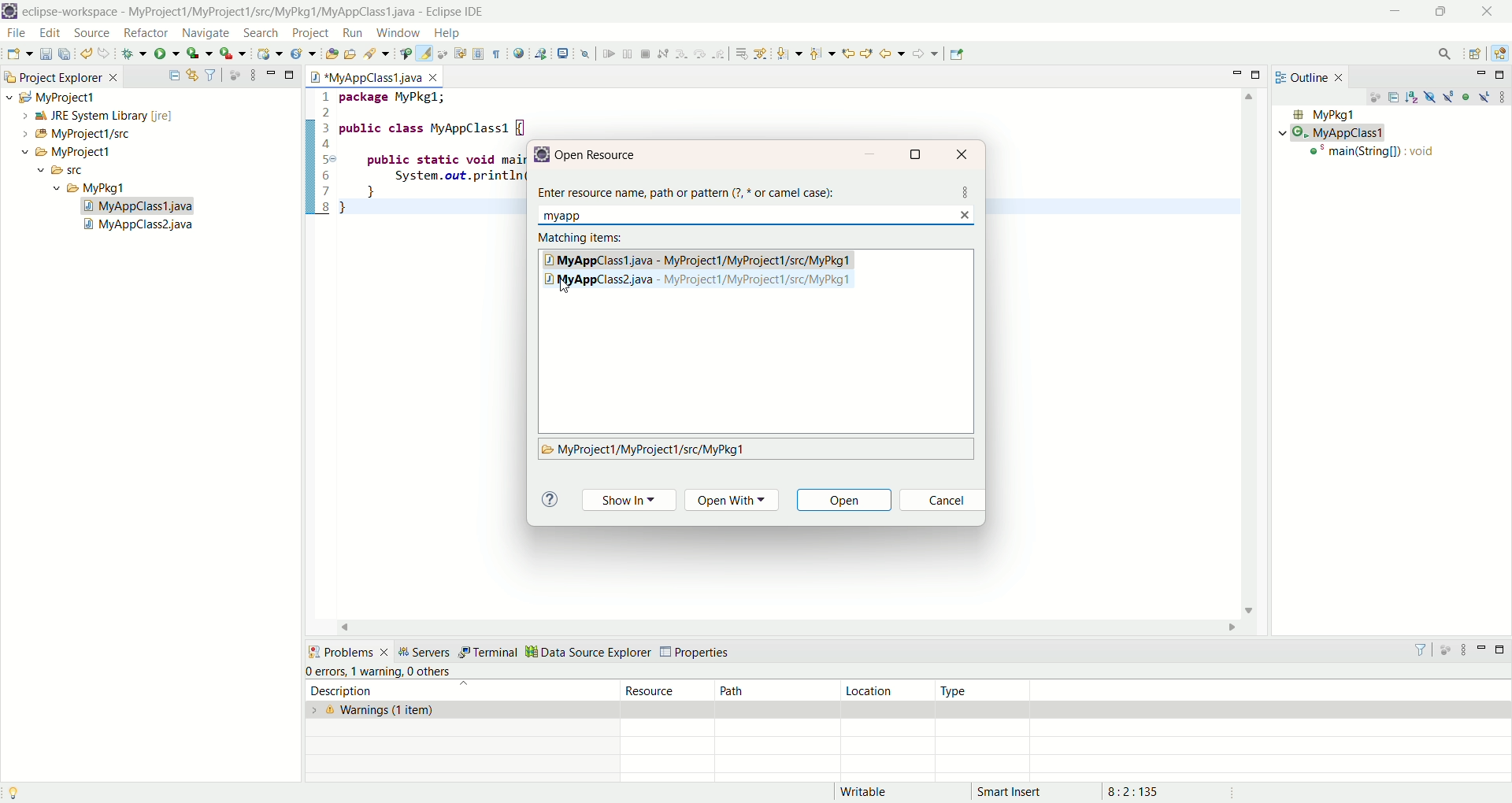 This screenshot has height=803, width=1512. Describe the element at coordinates (397, 33) in the screenshot. I see `window` at that location.